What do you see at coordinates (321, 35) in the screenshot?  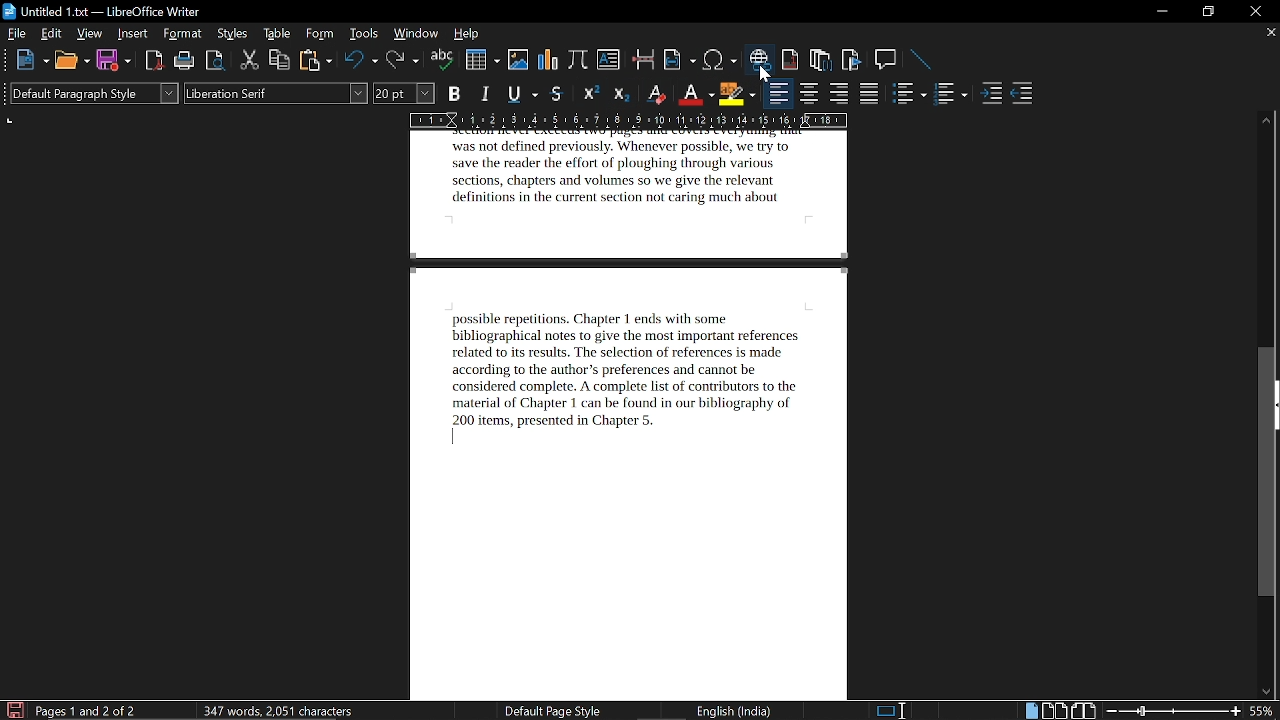 I see `form` at bounding box center [321, 35].